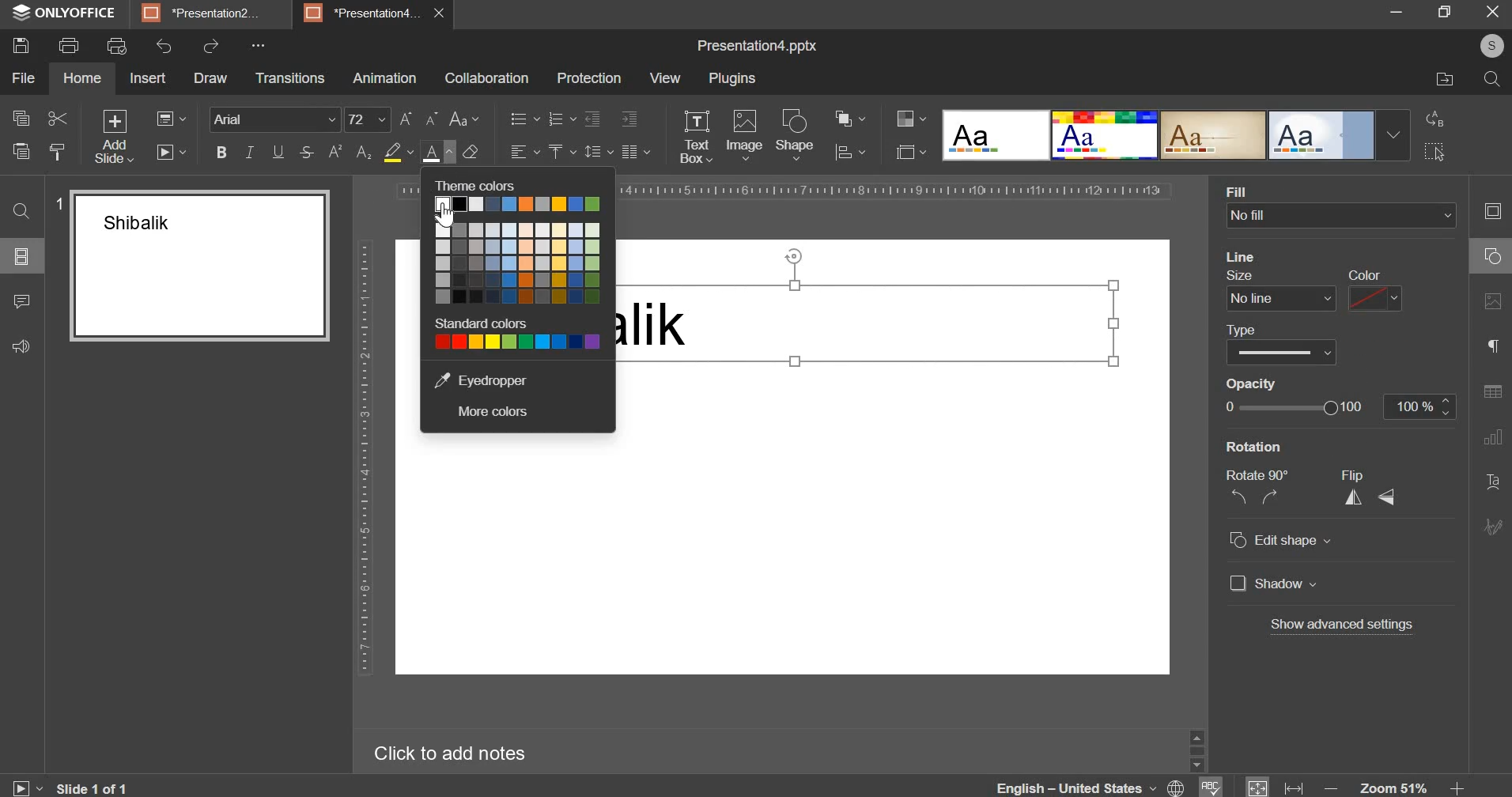  What do you see at coordinates (1067, 786) in the screenshot?
I see `english - united states` at bounding box center [1067, 786].